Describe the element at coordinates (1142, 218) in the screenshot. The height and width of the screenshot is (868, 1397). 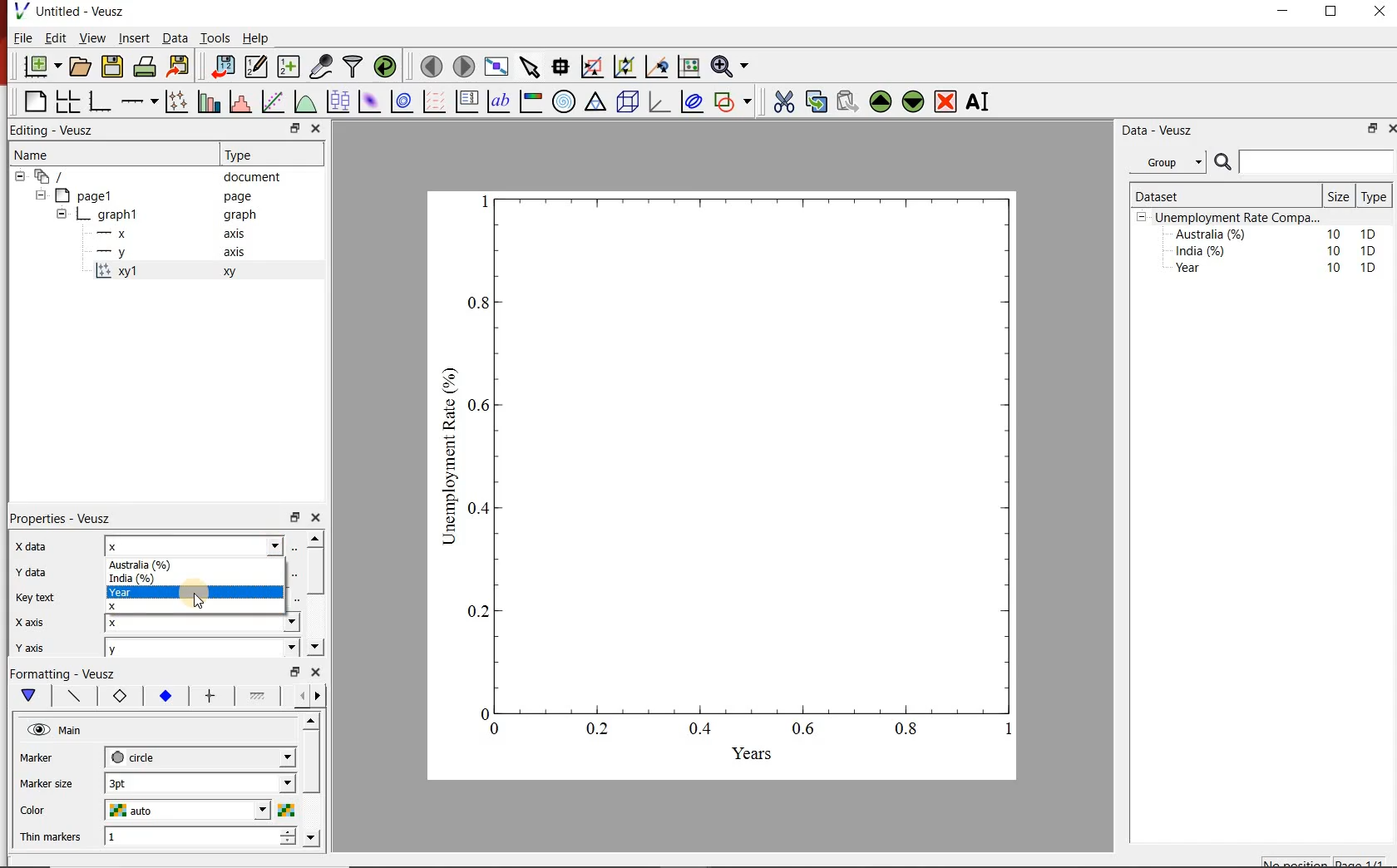
I see `collpase` at that location.